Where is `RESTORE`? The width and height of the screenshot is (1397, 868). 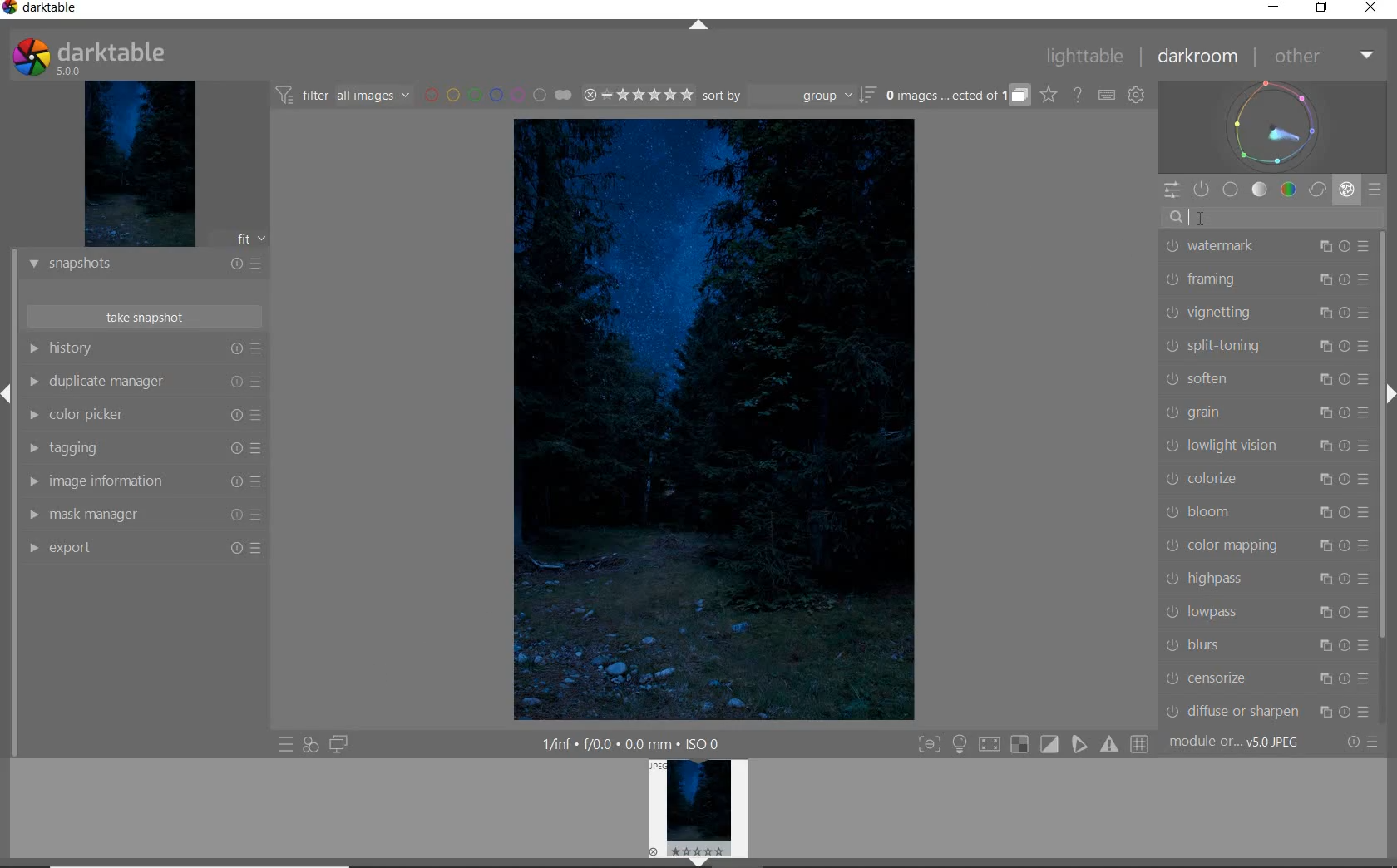
RESTORE is located at coordinates (1322, 8).